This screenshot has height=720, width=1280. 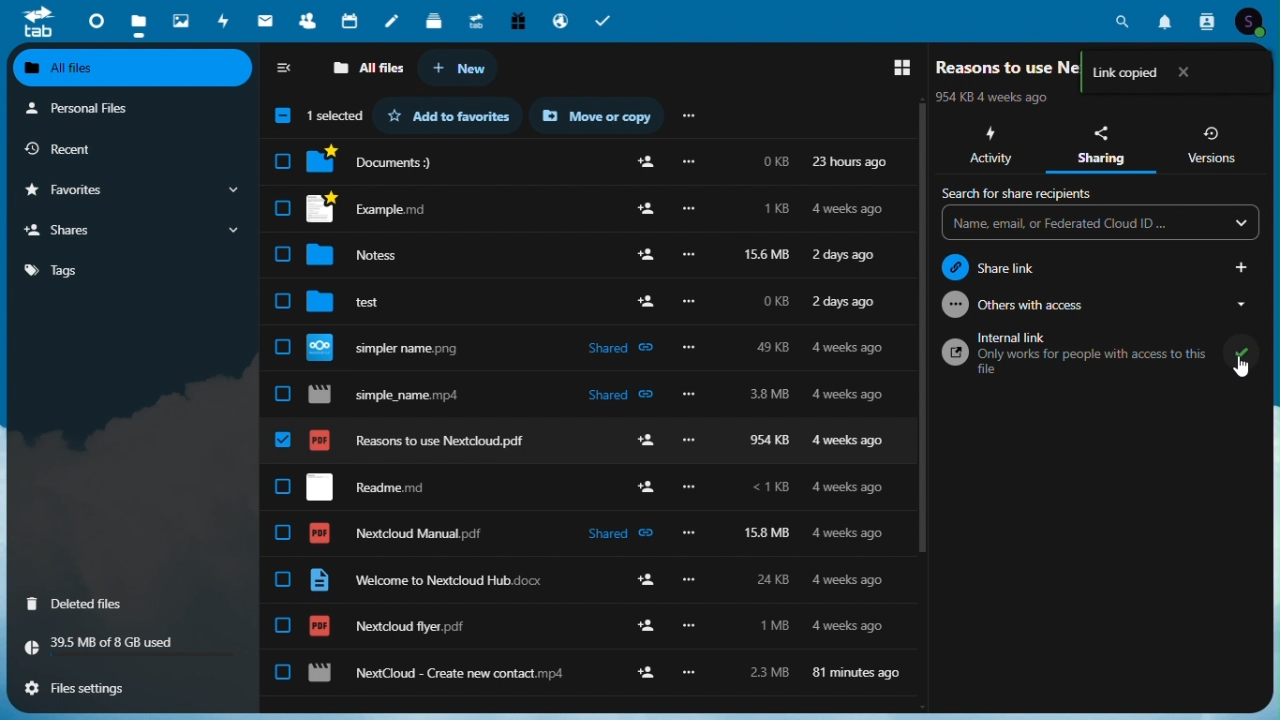 I want to click on switch to grid view, so click(x=896, y=67).